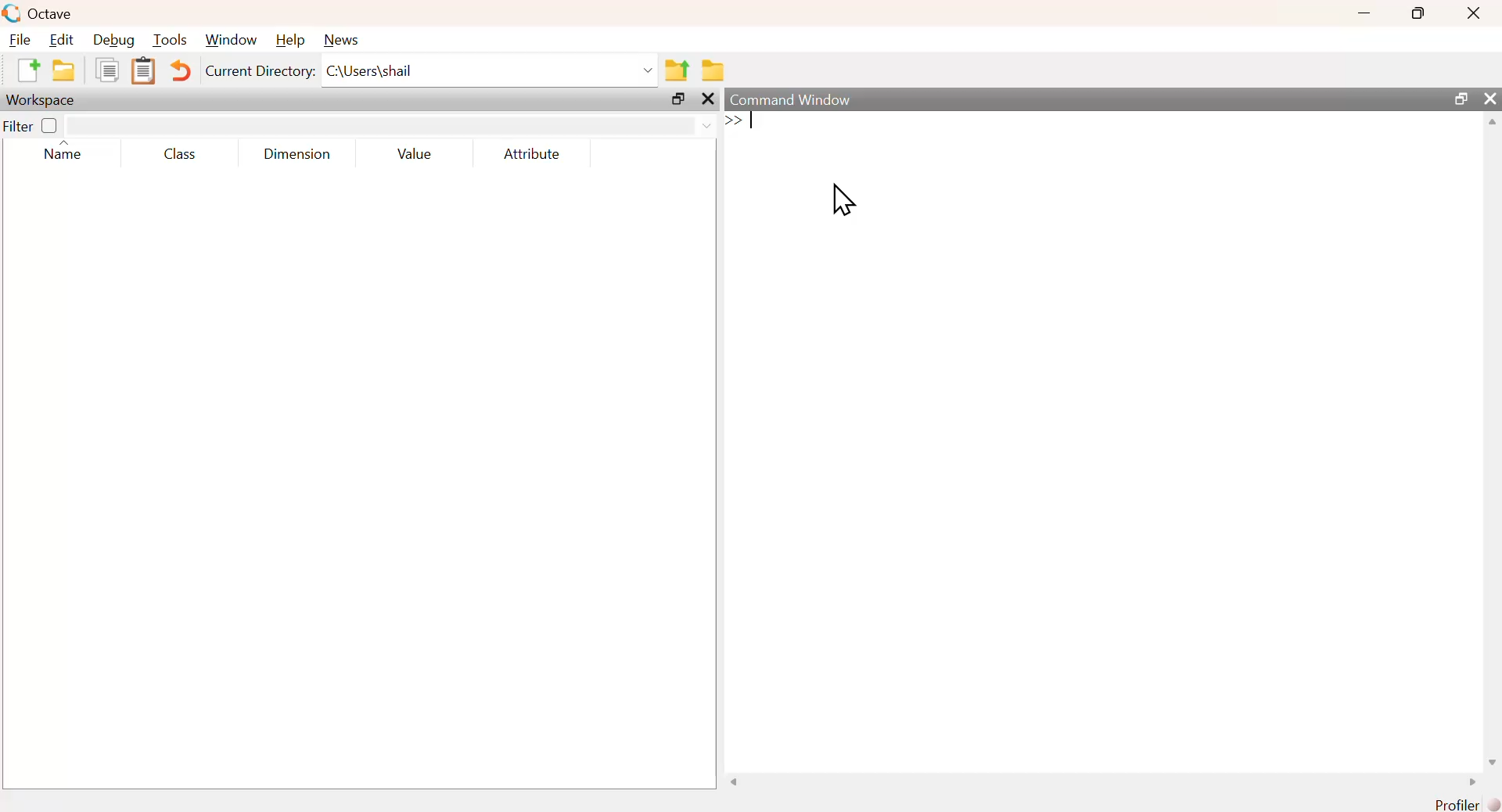 The image size is (1502, 812). I want to click on edit, so click(63, 41).